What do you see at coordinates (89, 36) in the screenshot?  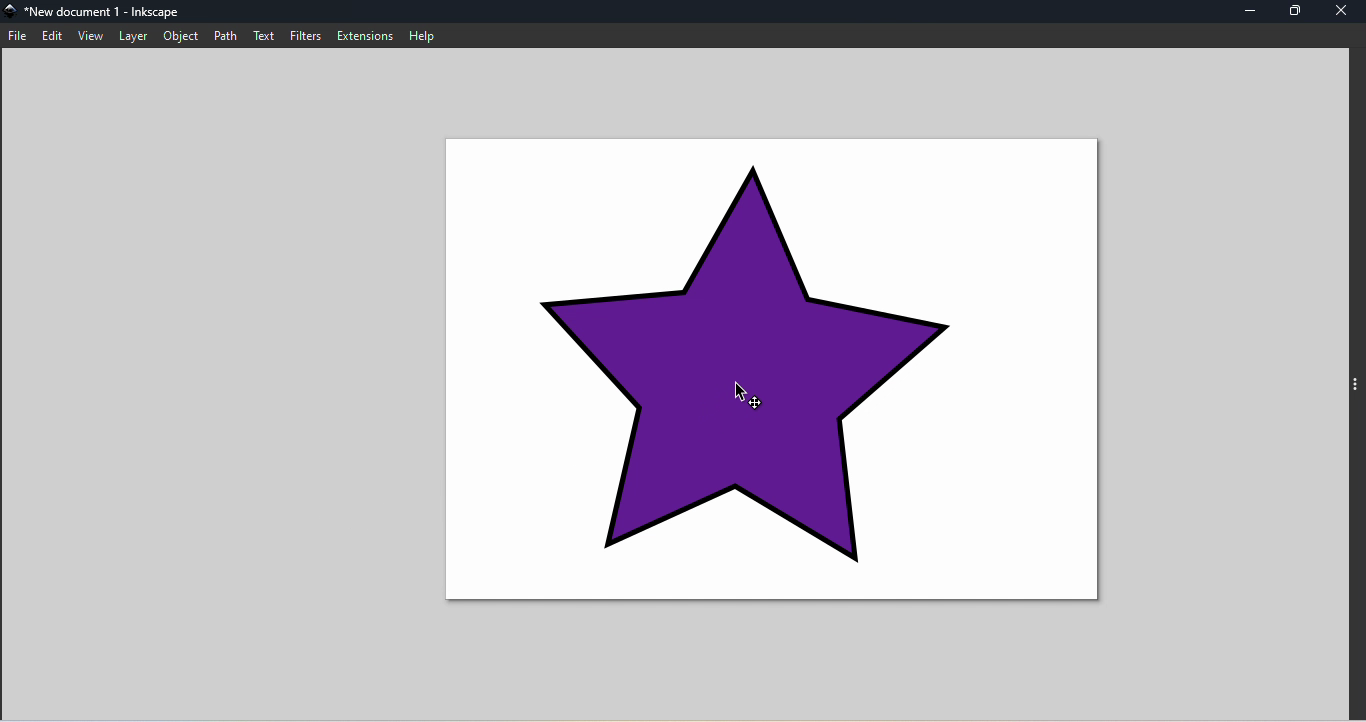 I see `View` at bounding box center [89, 36].